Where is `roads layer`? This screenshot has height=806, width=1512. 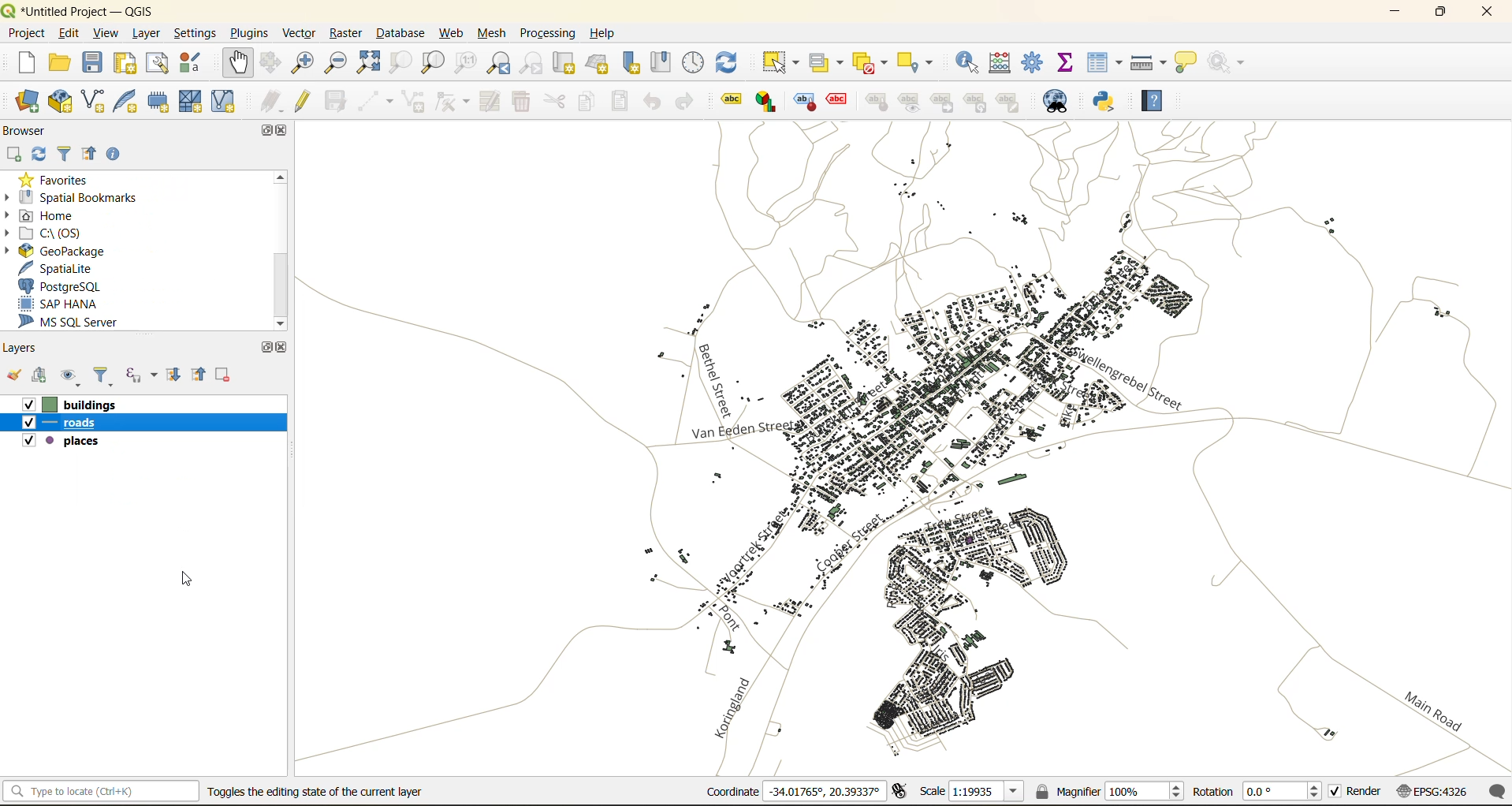 roads layer is located at coordinates (70, 423).